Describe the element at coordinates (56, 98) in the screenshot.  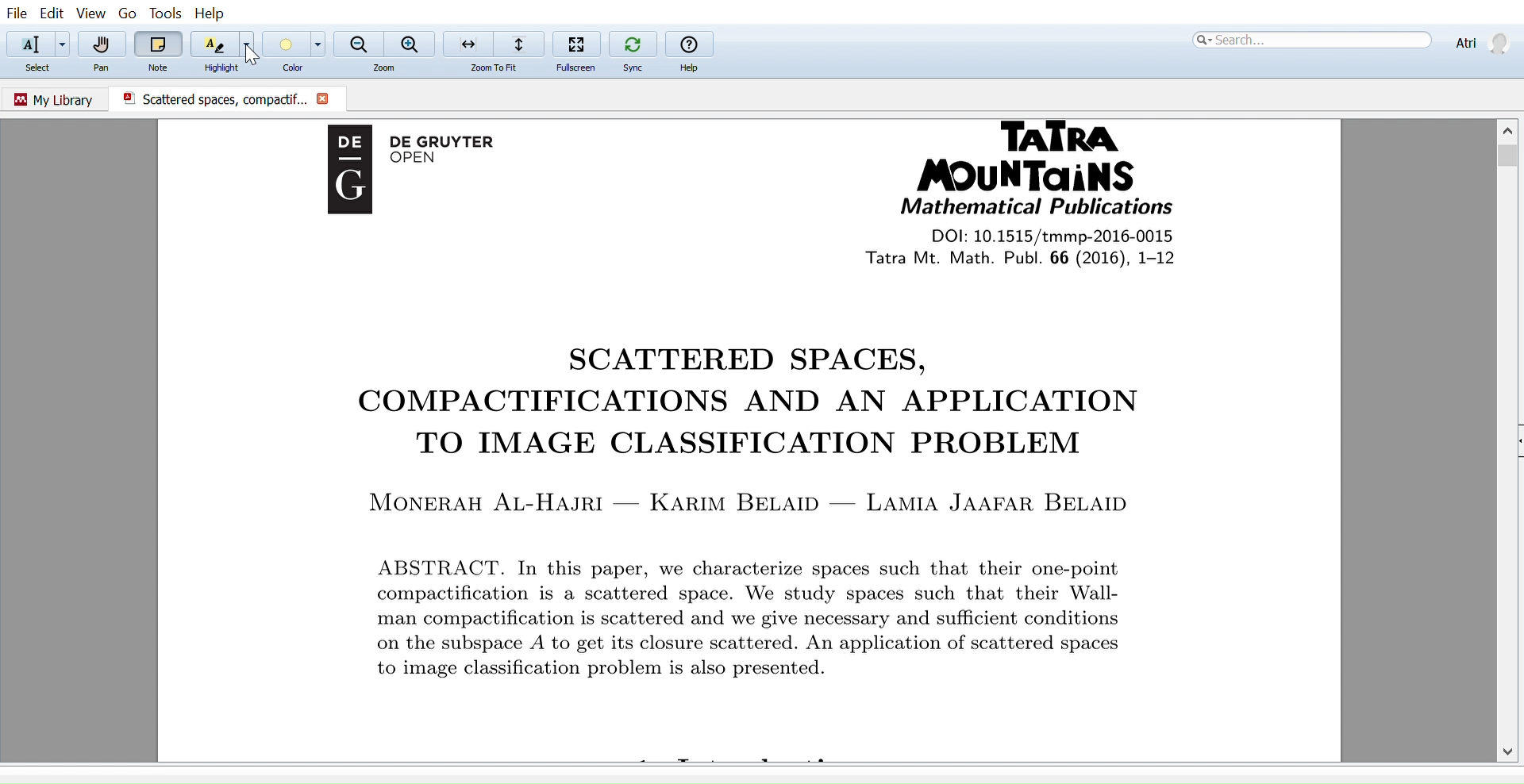
I see `Go to my library` at that location.